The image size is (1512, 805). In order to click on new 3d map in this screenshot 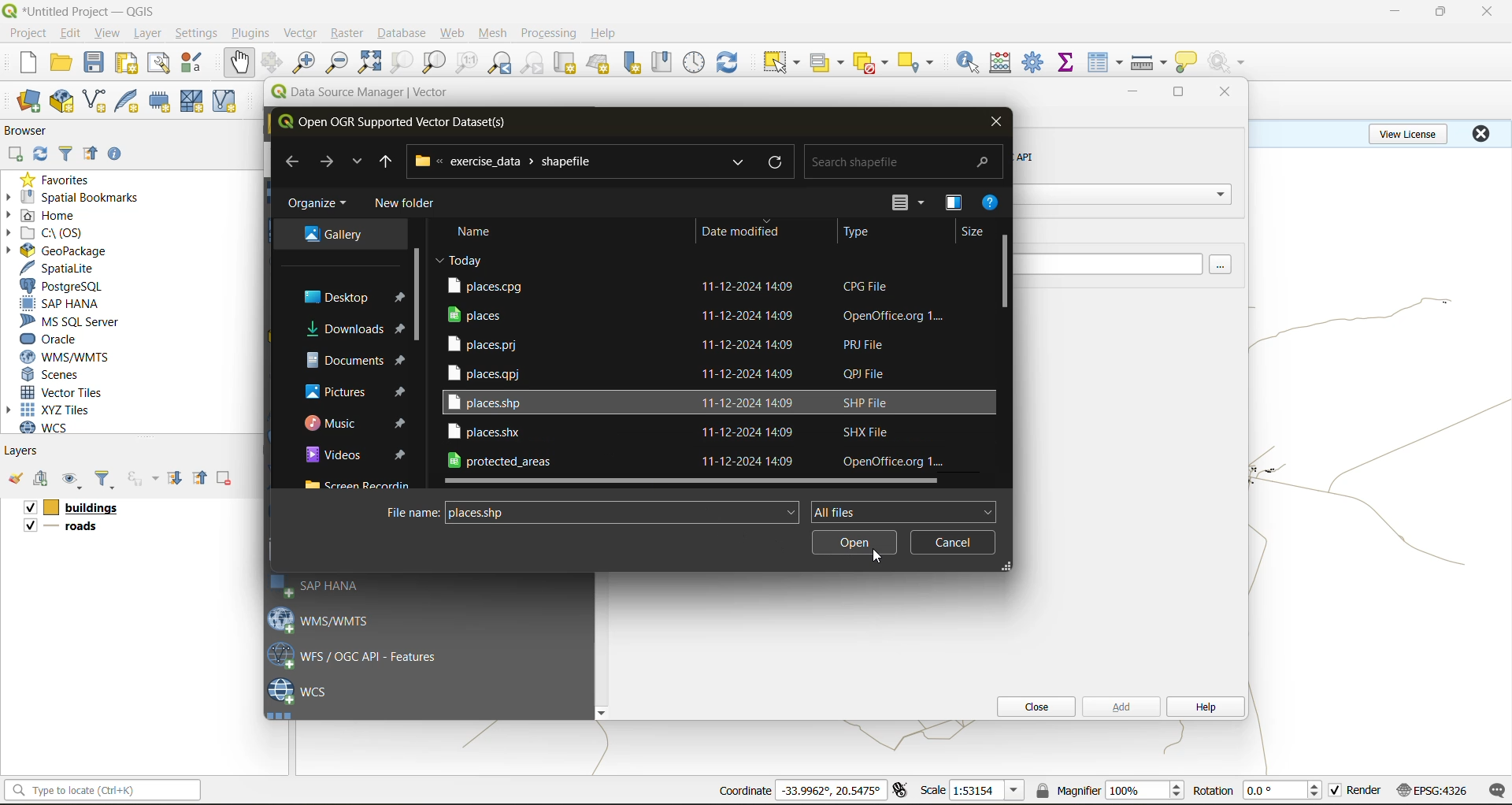, I will do `click(600, 63)`.